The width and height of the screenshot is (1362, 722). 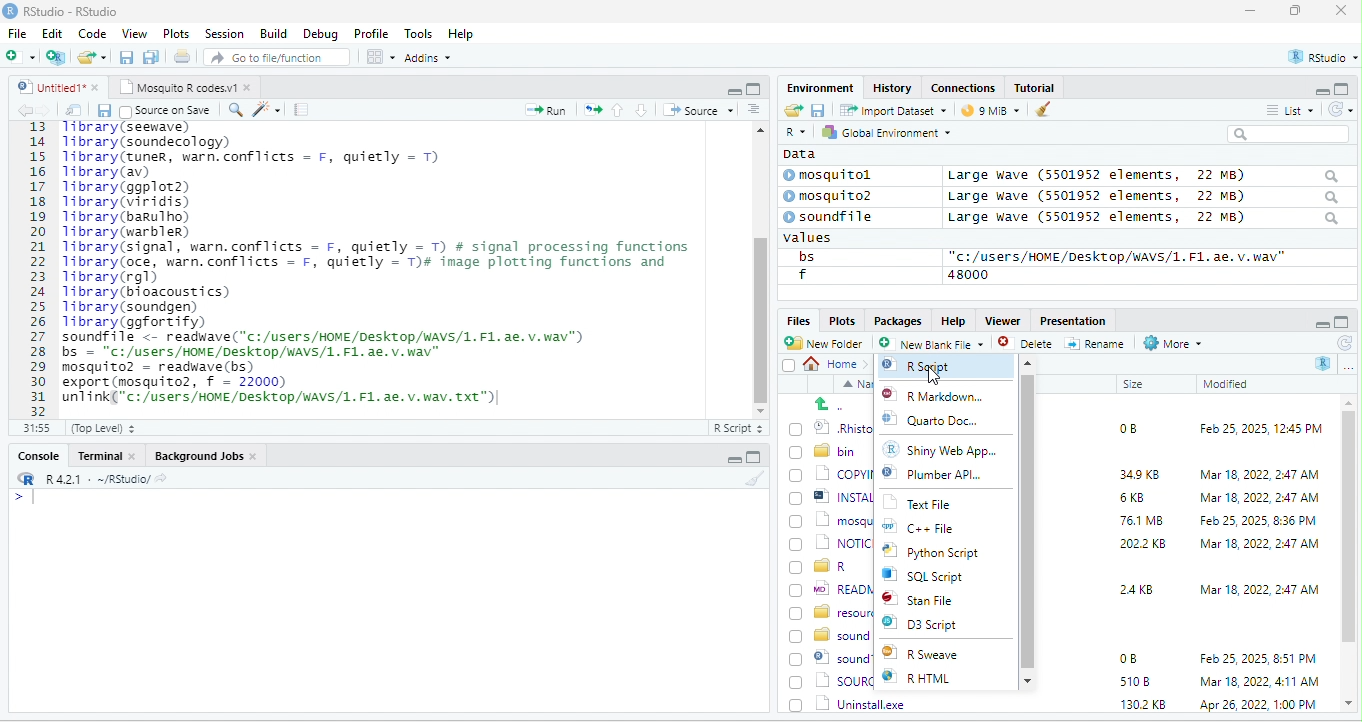 What do you see at coordinates (1258, 681) in the screenshot?
I see `Mar 18, 2022, 4:11 AM` at bounding box center [1258, 681].